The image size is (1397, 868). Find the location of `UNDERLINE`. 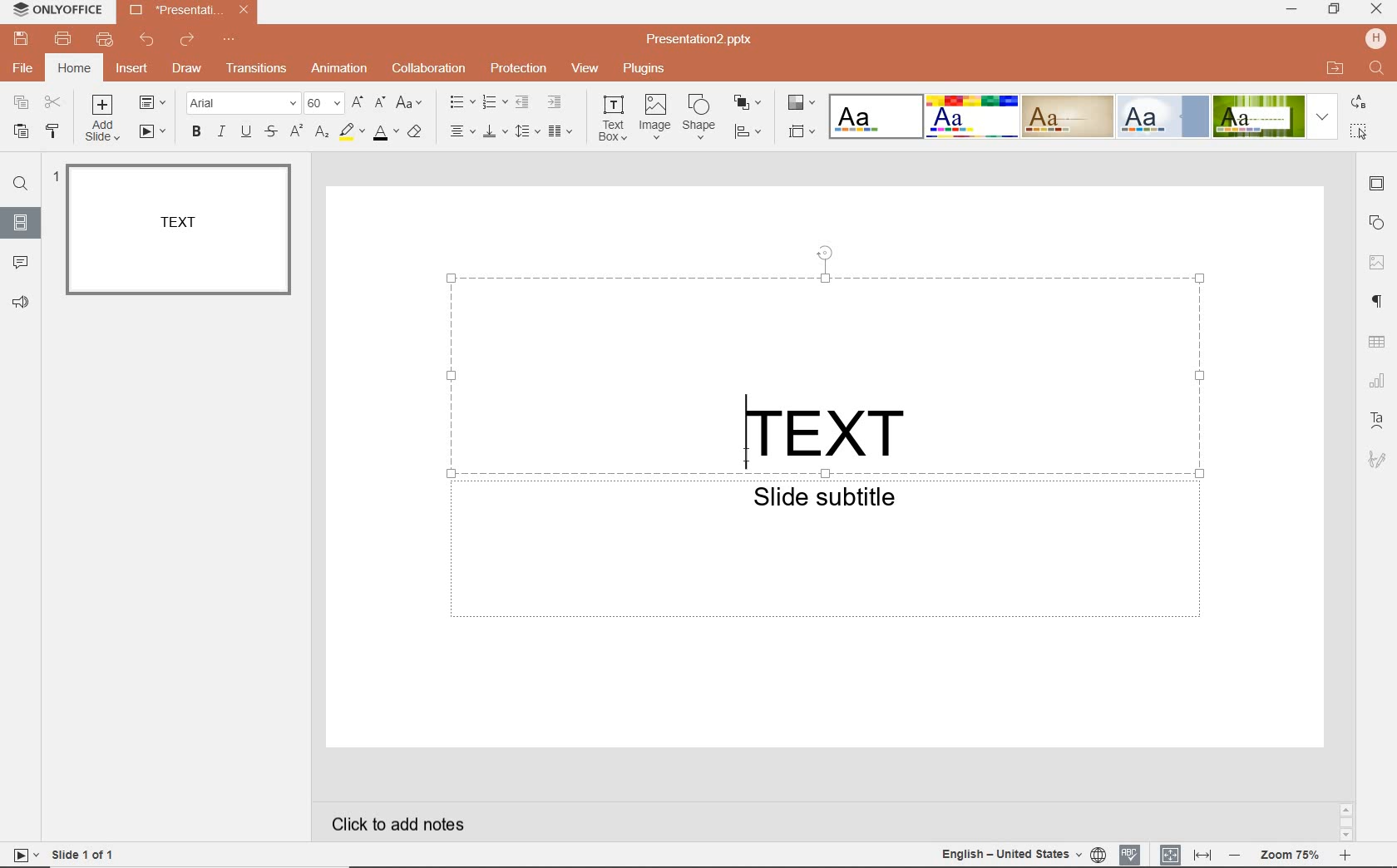

UNDERLINE is located at coordinates (246, 131).